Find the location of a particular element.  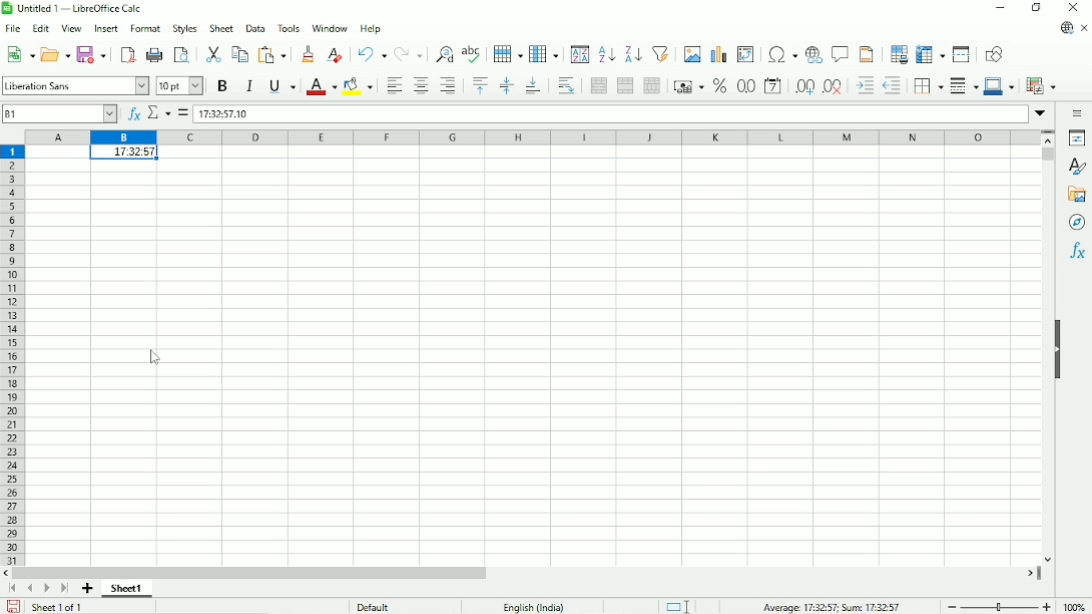

Properties is located at coordinates (1076, 137).